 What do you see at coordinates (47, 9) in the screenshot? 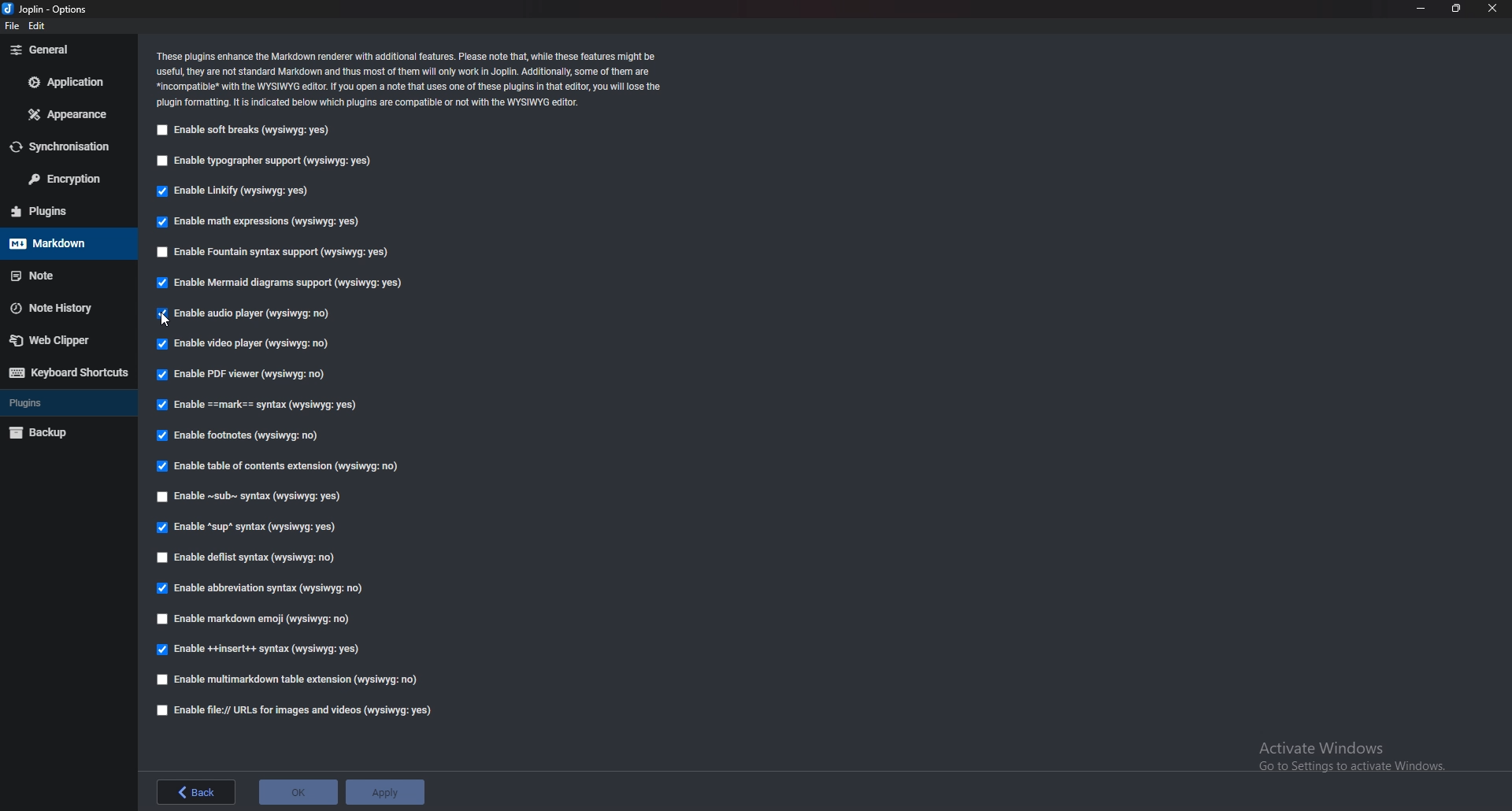
I see `options` at bounding box center [47, 9].